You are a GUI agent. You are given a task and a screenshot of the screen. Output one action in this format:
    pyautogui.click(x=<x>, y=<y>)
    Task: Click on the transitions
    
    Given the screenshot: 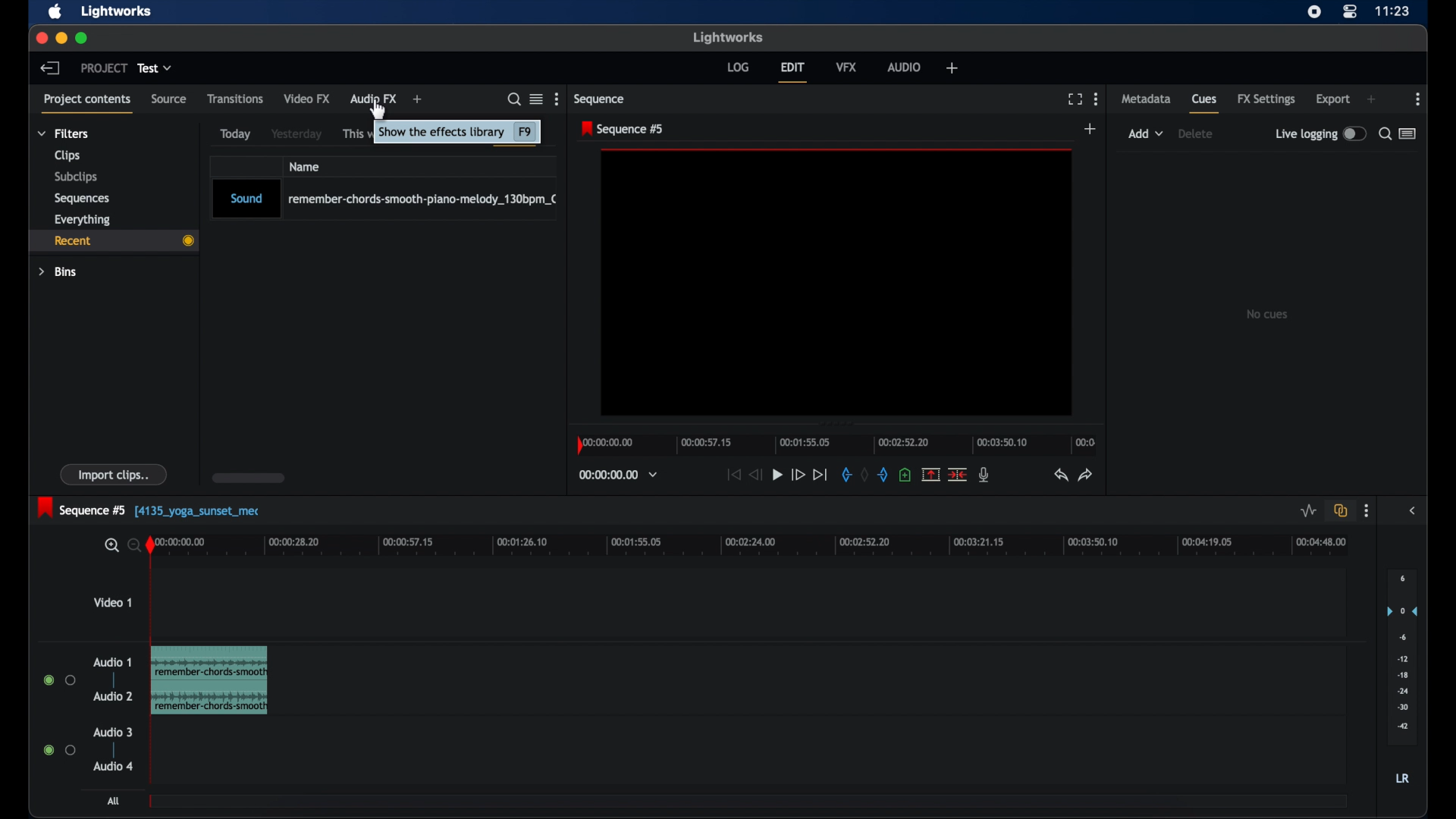 What is the action you would take?
    pyautogui.click(x=235, y=99)
    